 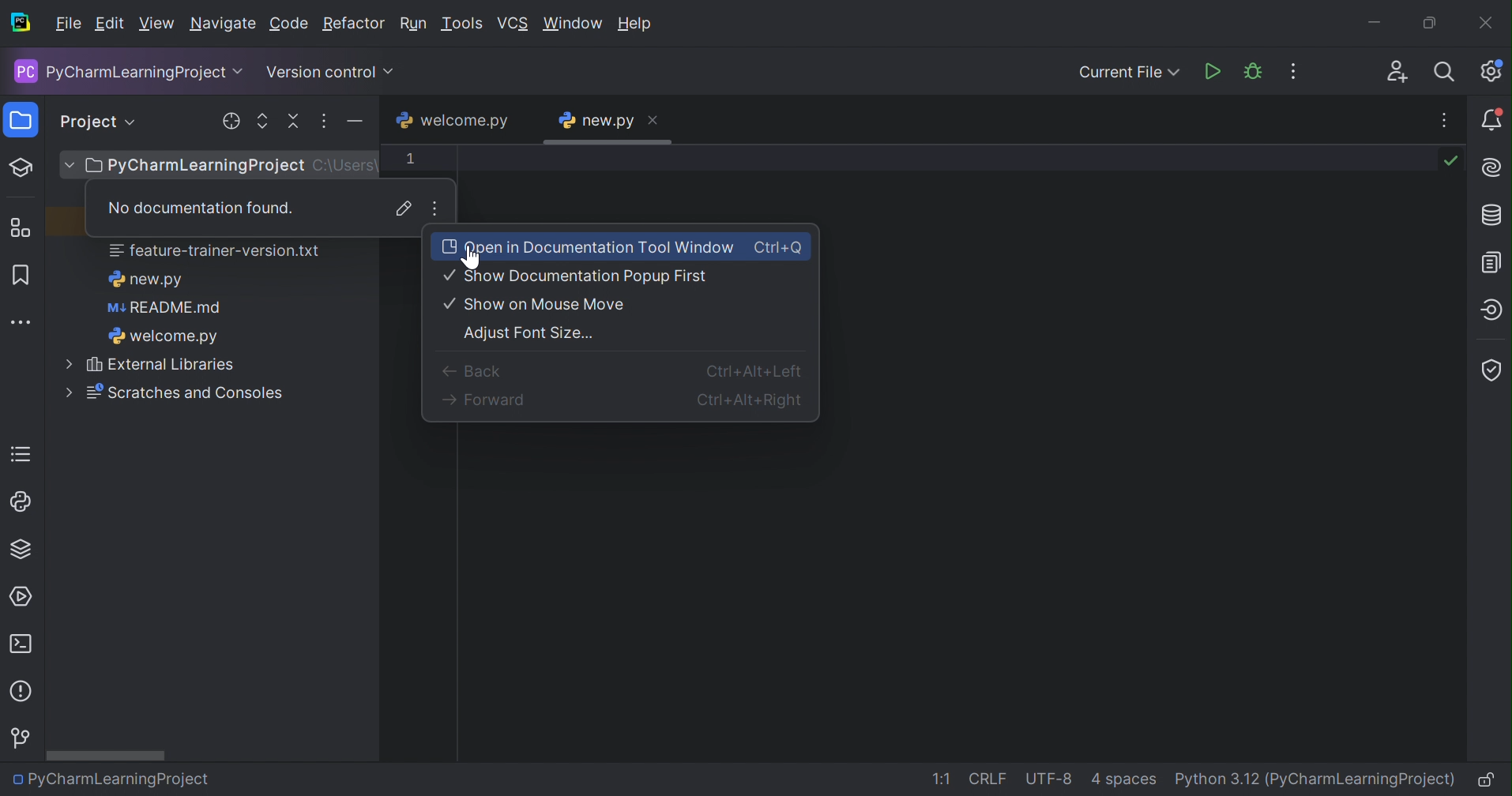 What do you see at coordinates (228, 122) in the screenshot?
I see `locate` at bounding box center [228, 122].